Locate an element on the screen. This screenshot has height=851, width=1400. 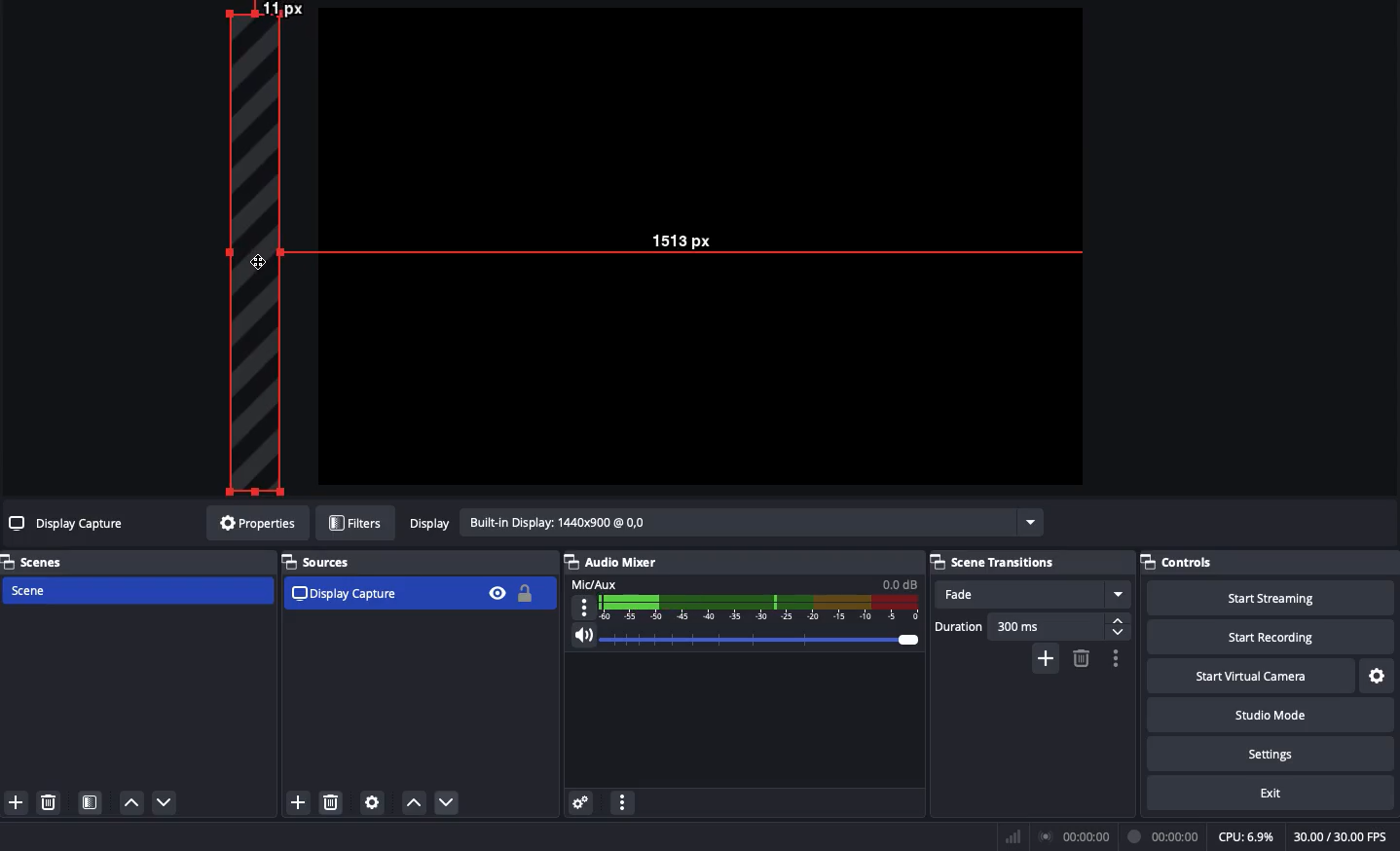
Options is located at coordinates (1113, 658).